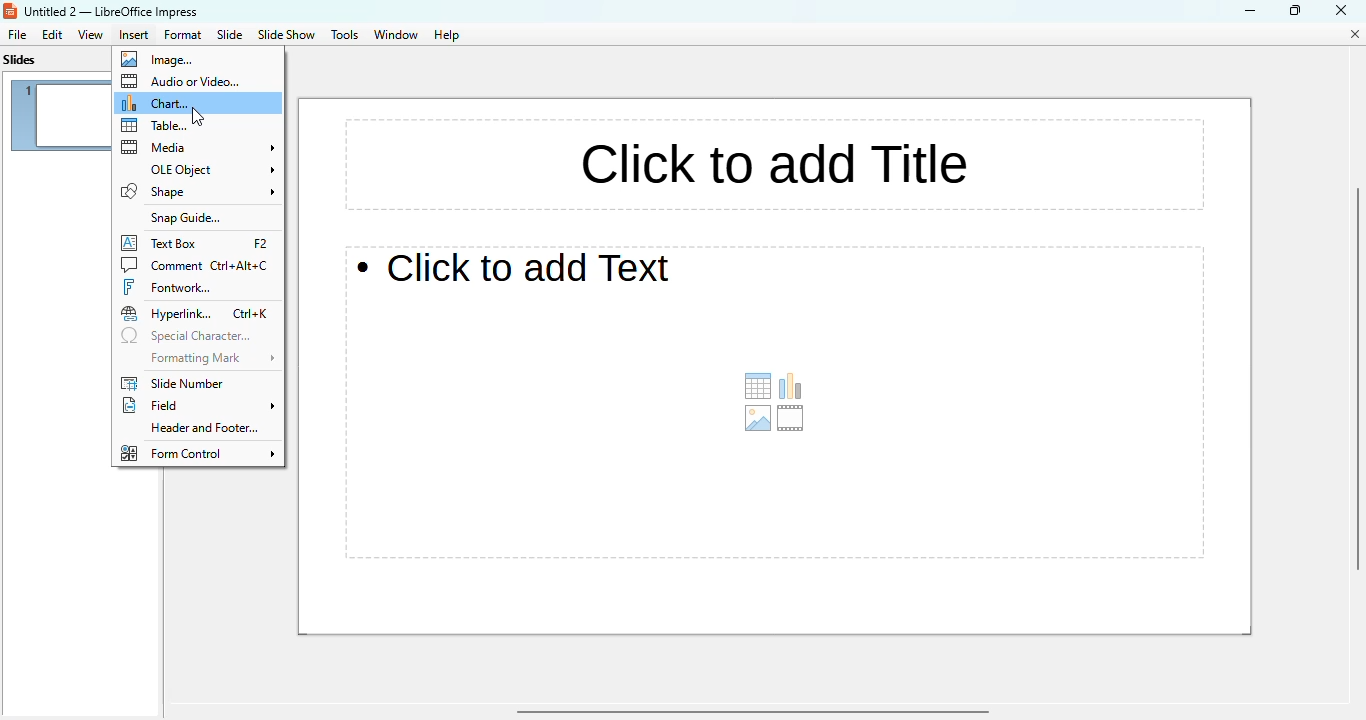 The height and width of the screenshot is (720, 1366). I want to click on close document, so click(1352, 34).